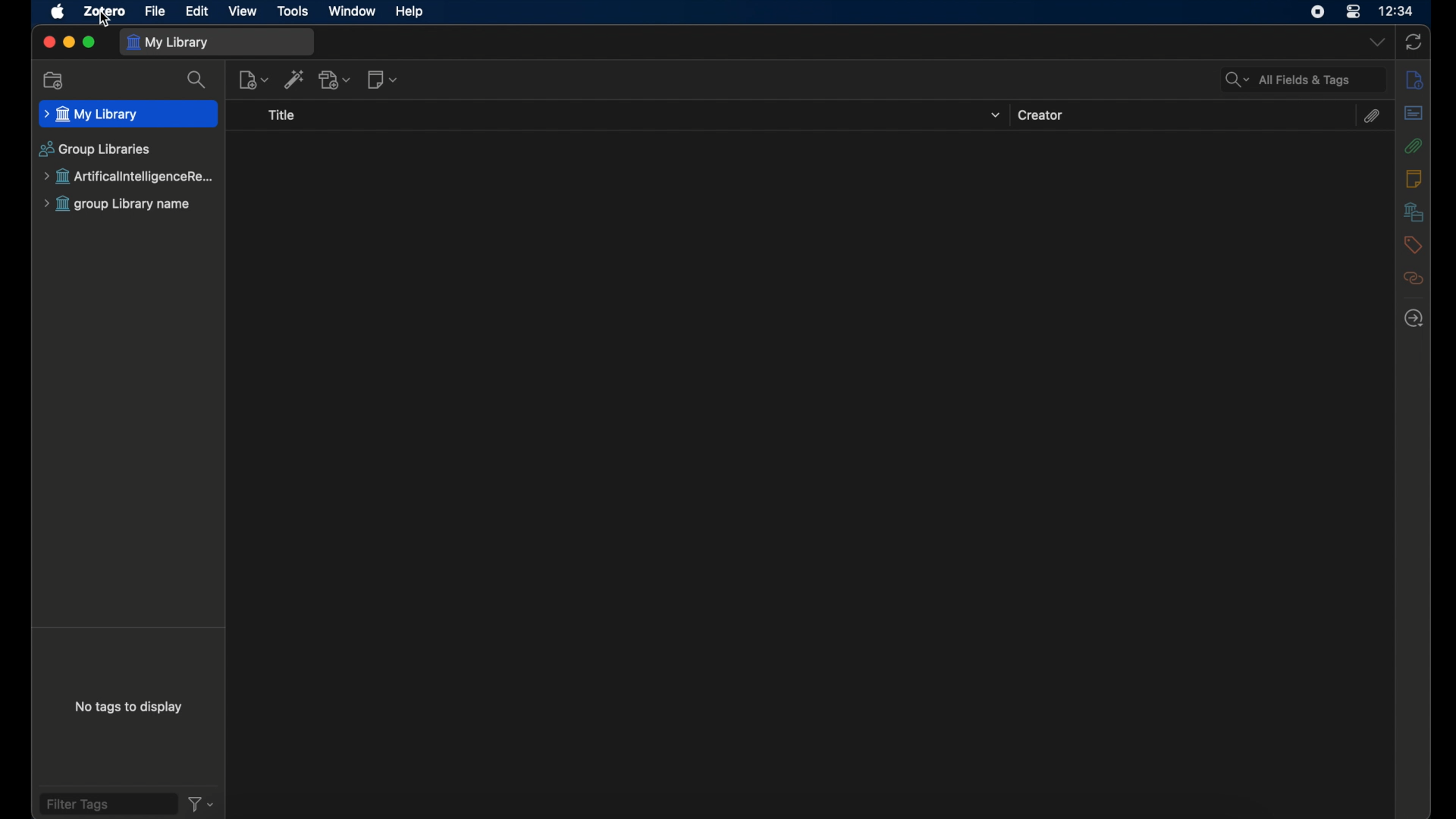 The image size is (1456, 819). What do you see at coordinates (1413, 279) in the screenshot?
I see `related` at bounding box center [1413, 279].